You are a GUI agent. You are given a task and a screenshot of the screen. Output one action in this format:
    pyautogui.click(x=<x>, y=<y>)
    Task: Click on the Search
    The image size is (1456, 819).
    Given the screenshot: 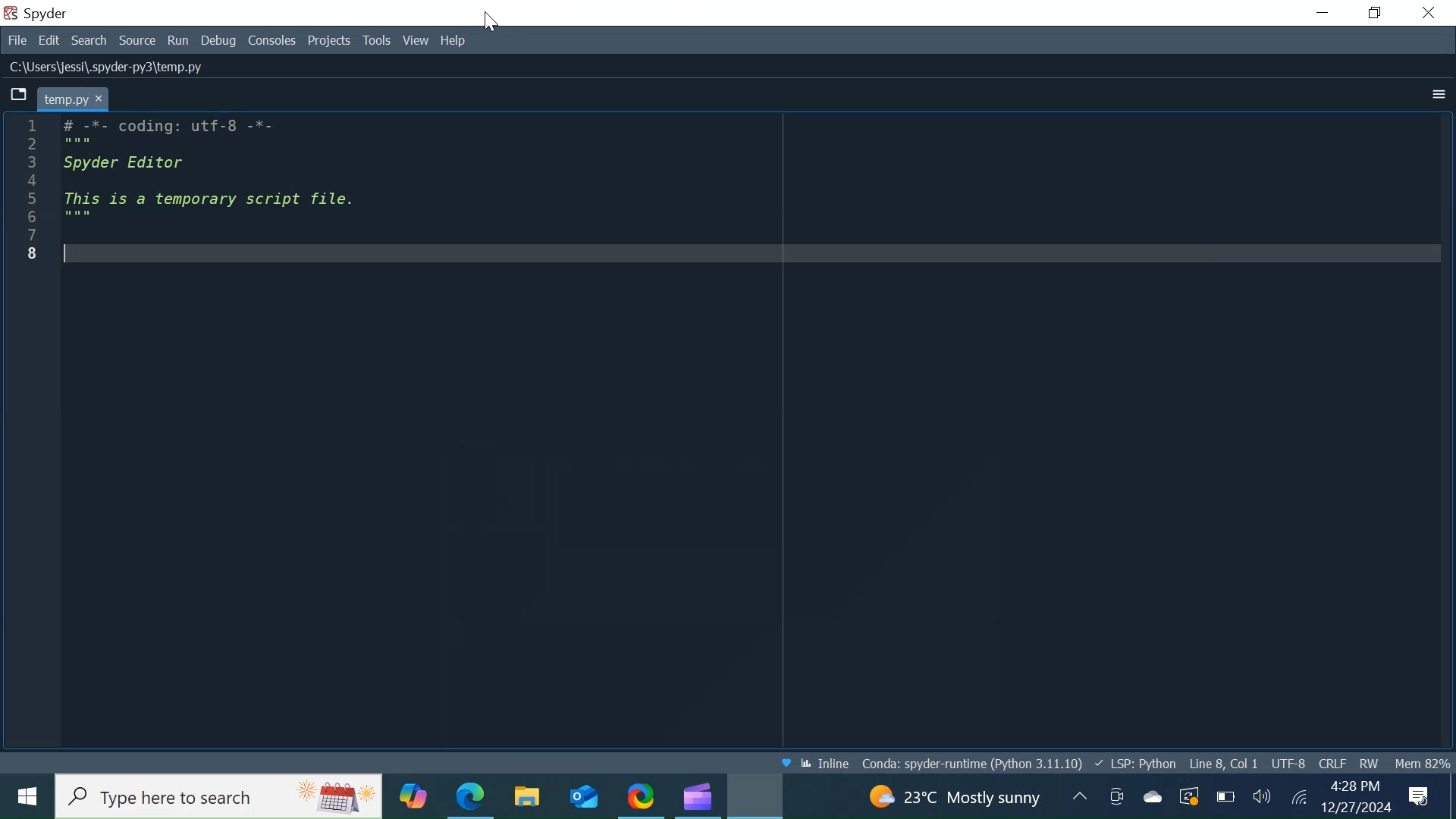 What is the action you would take?
    pyautogui.click(x=215, y=796)
    